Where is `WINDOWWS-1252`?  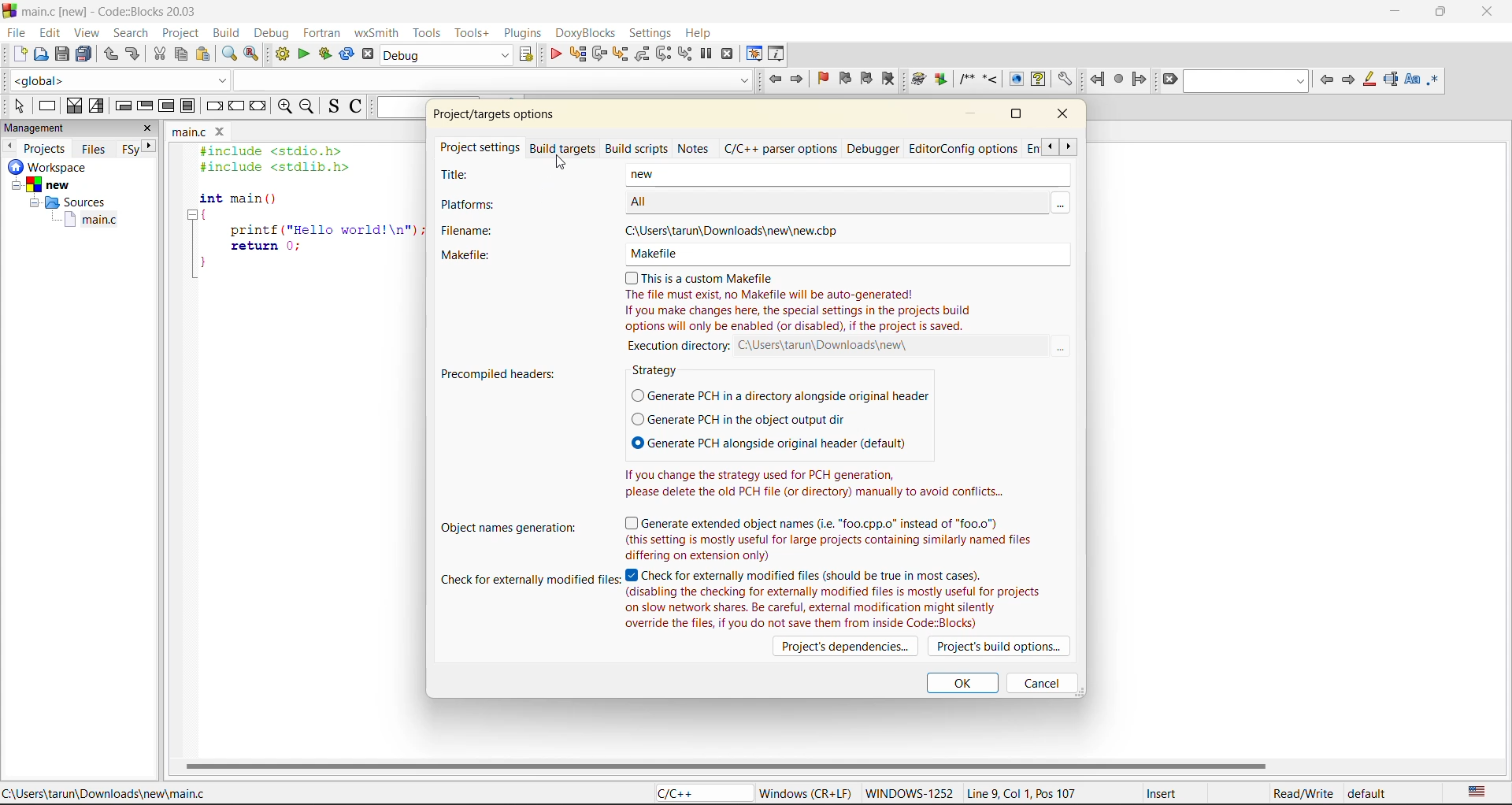 WINDOWWS-1252 is located at coordinates (912, 792).